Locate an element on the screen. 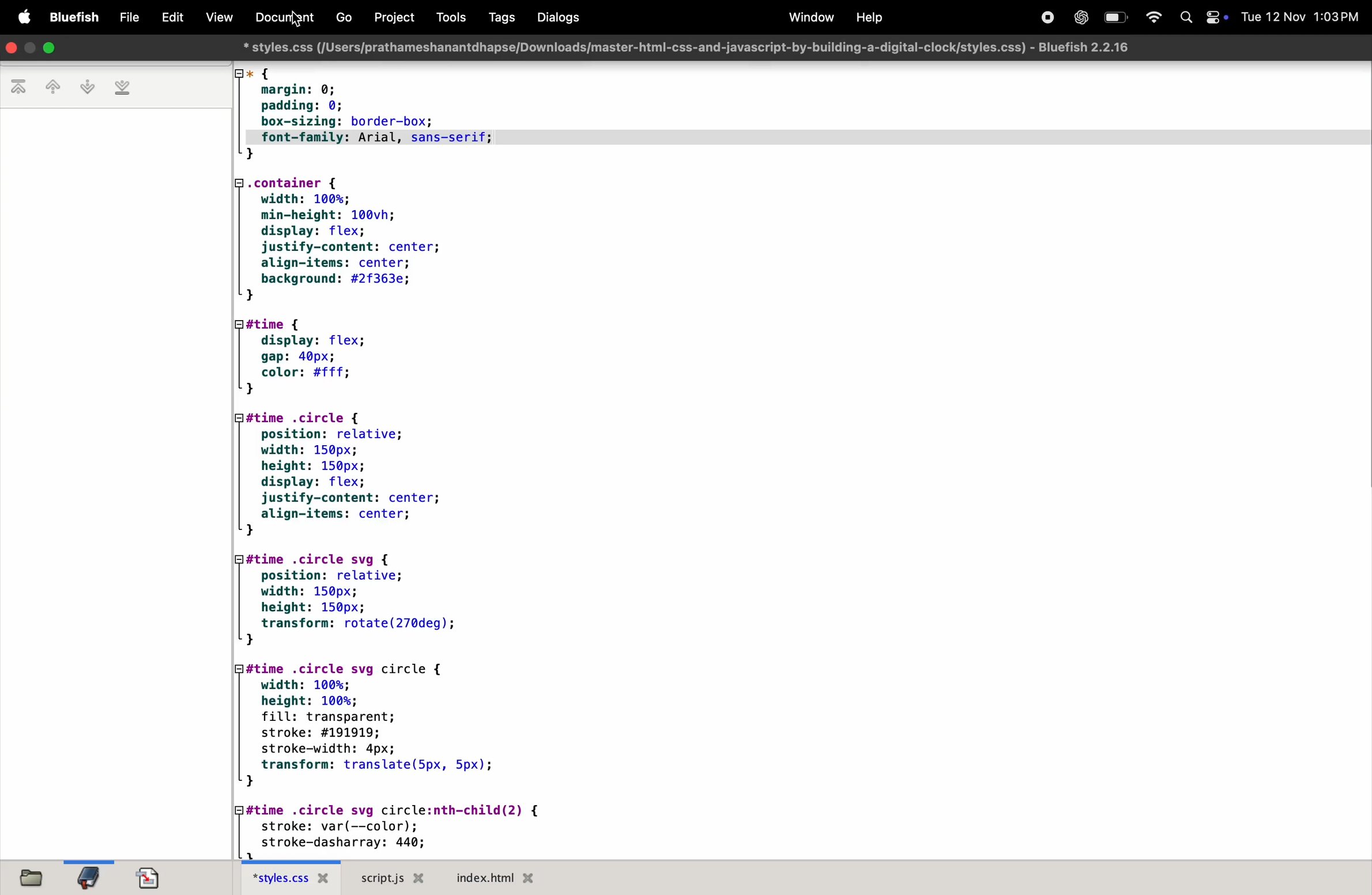 The width and height of the screenshot is (1372, 895). Control Centre is located at coordinates (1213, 17).